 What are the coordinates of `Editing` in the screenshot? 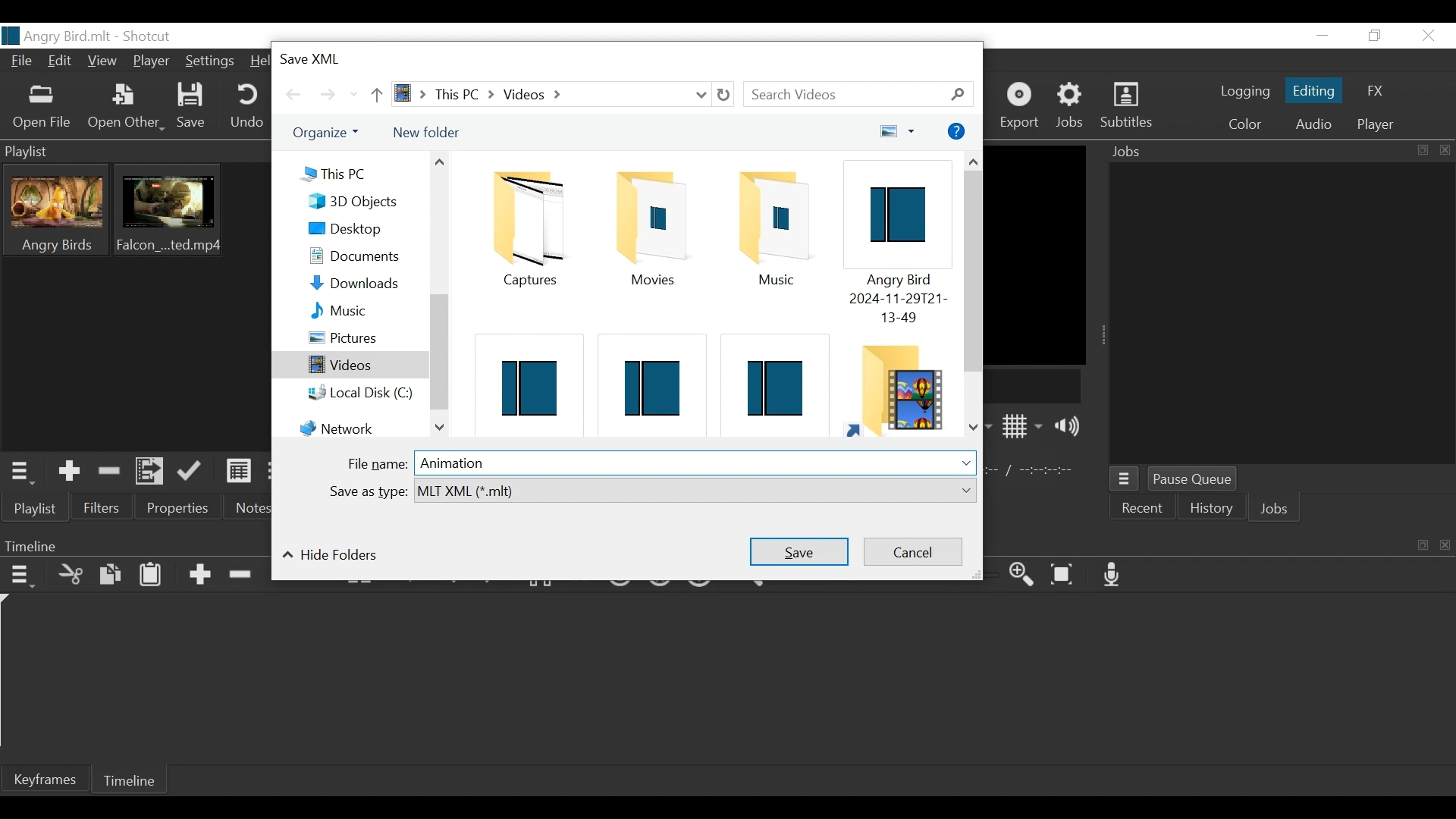 It's located at (1313, 93).